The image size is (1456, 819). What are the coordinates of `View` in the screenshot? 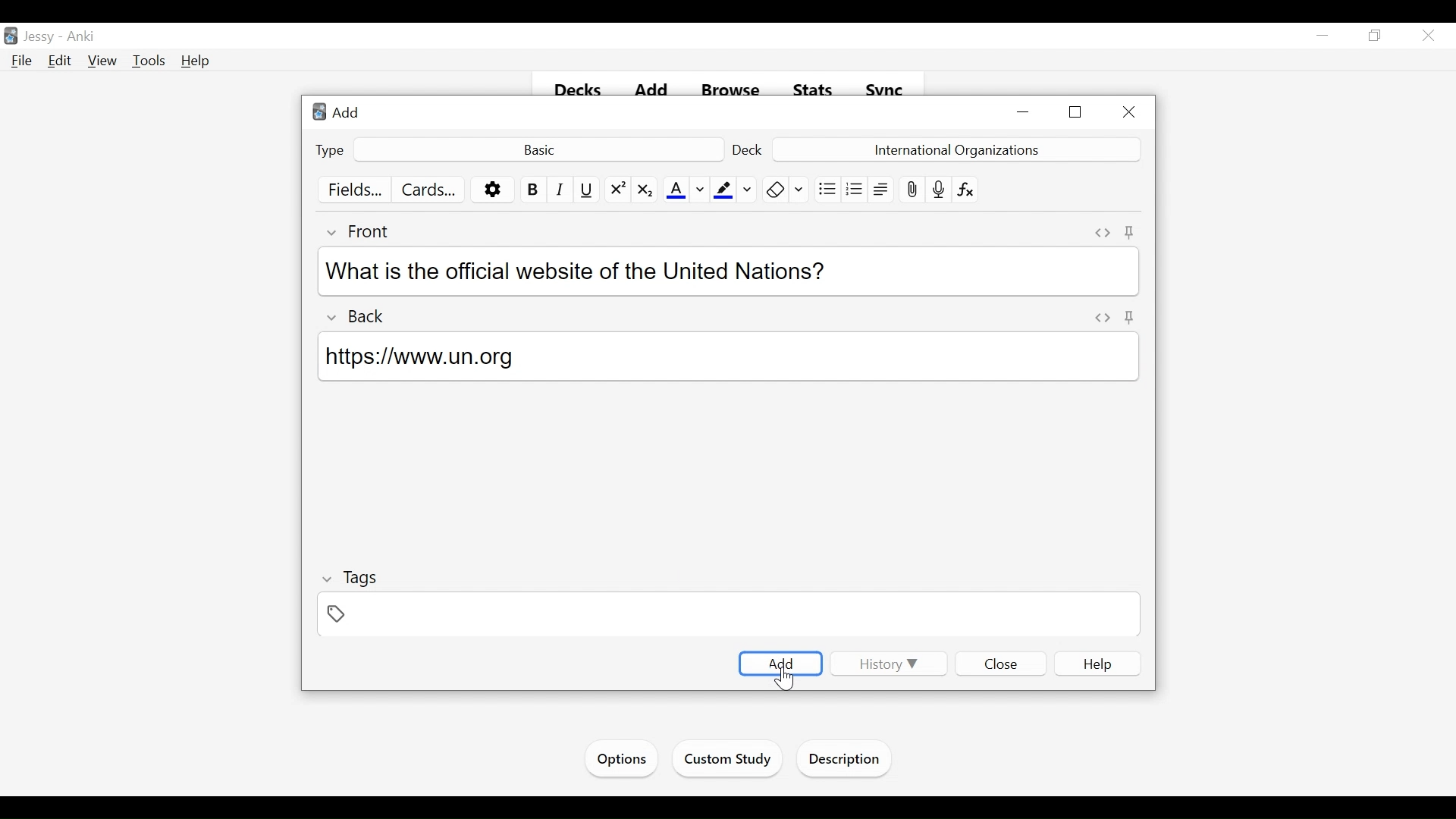 It's located at (102, 60).